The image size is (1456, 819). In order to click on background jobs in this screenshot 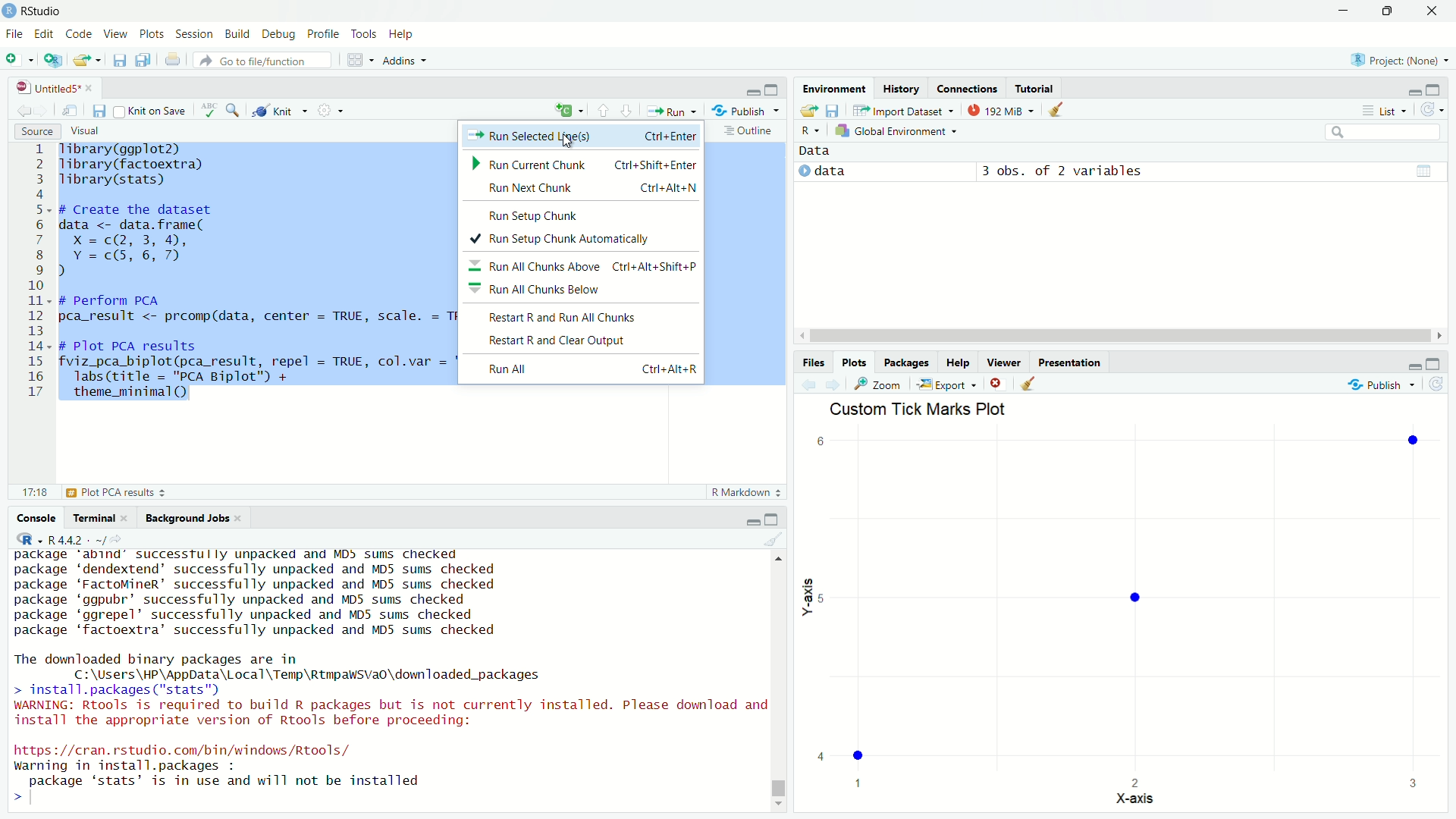, I will do `click(193, 518)`.